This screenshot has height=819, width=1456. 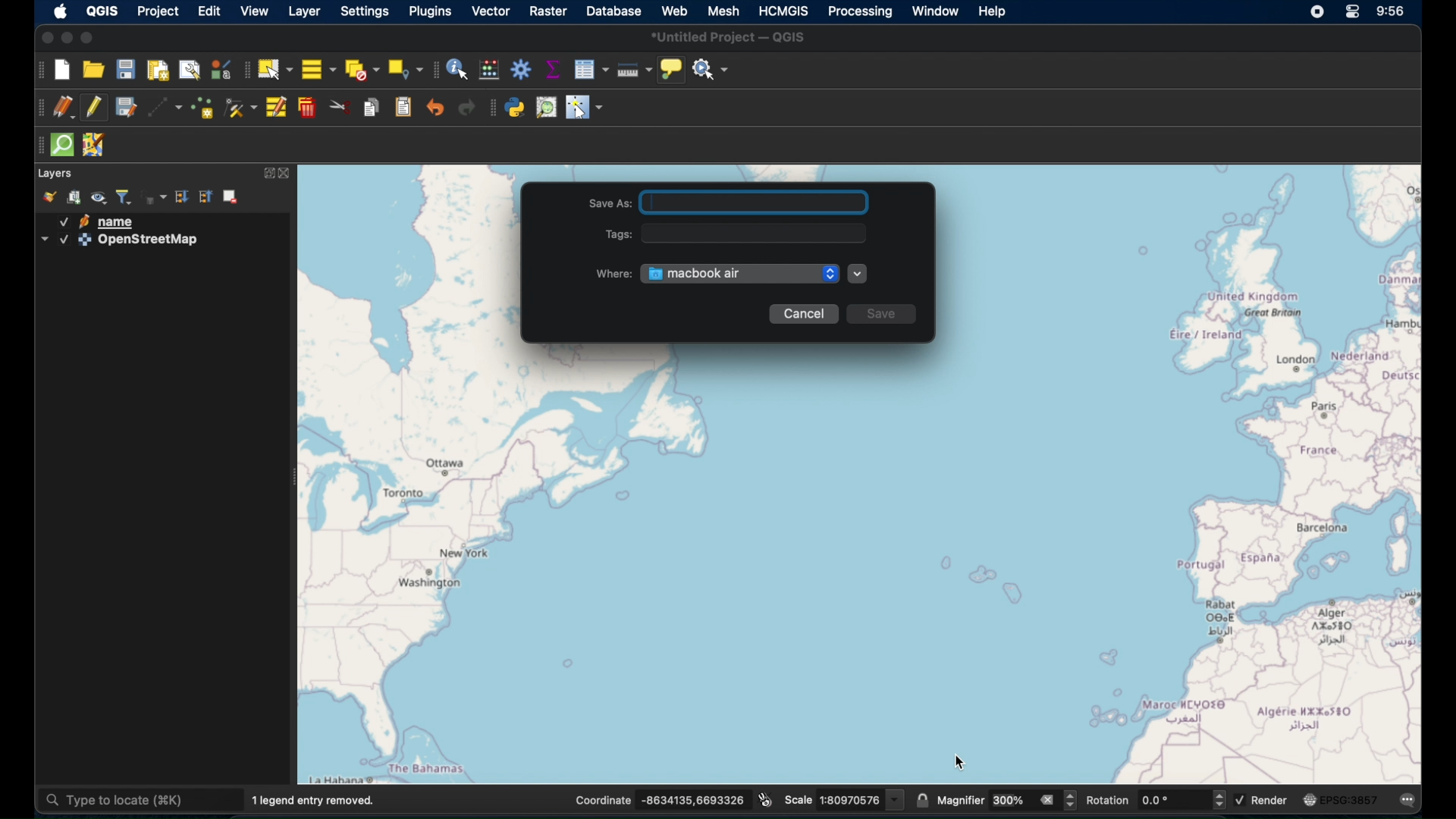 What do you see at coordinates (740, 234) in the screenshot?
I see `Tags` at bounding box center [740, 234].